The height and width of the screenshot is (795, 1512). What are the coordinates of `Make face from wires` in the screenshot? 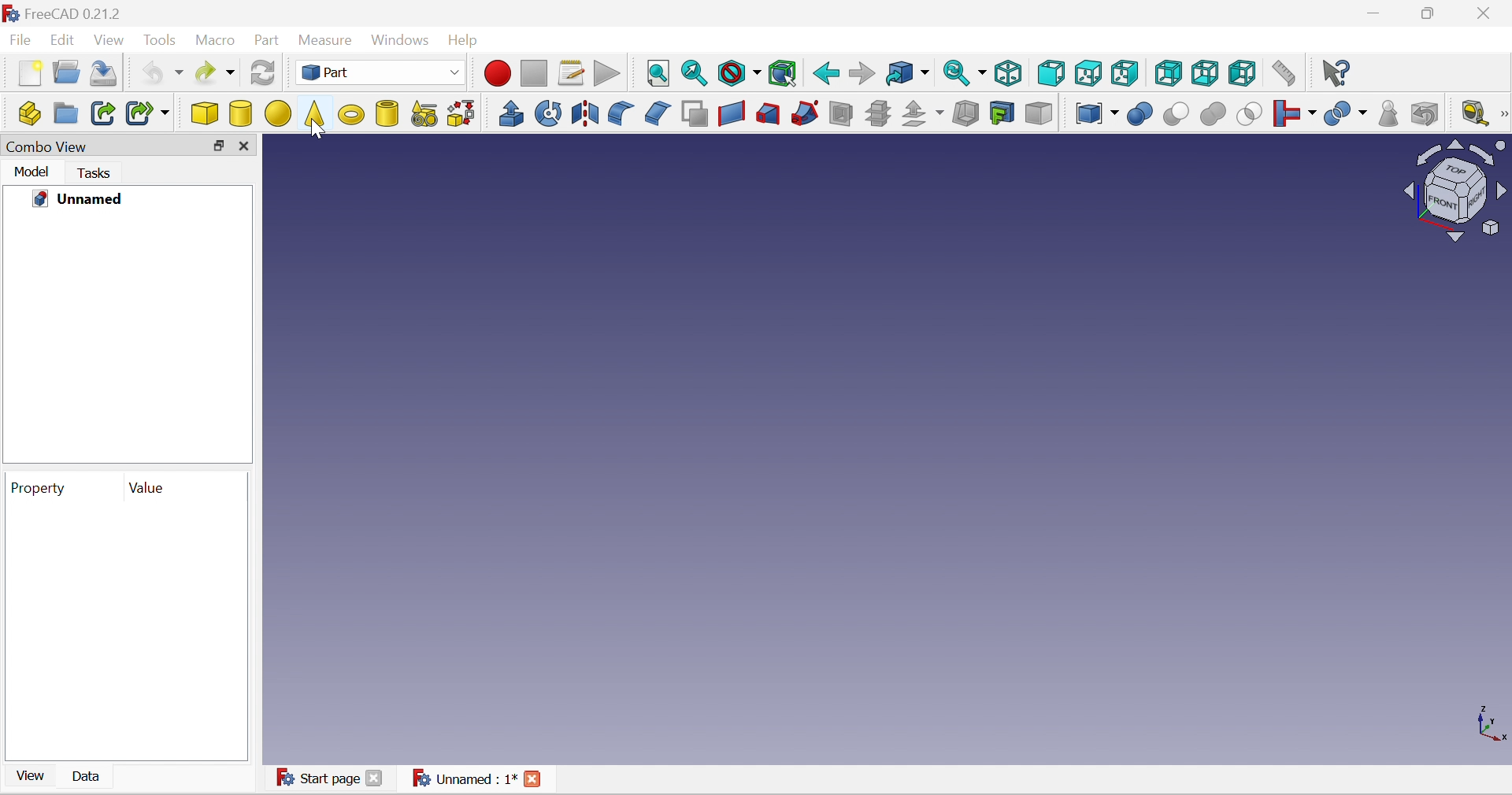 It's located at (693, 114).